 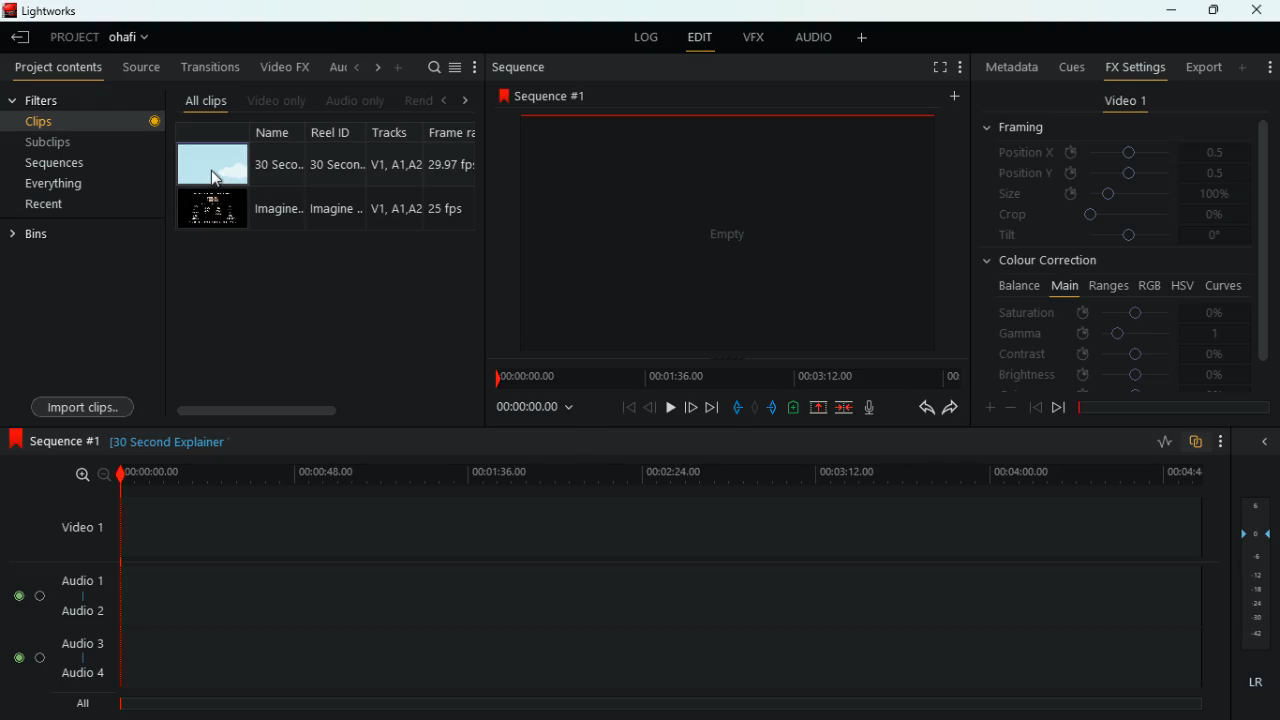 What do you see at coordinates (85, 121) in the screenshot?
I see `clips` at bounding box center [85, 121].